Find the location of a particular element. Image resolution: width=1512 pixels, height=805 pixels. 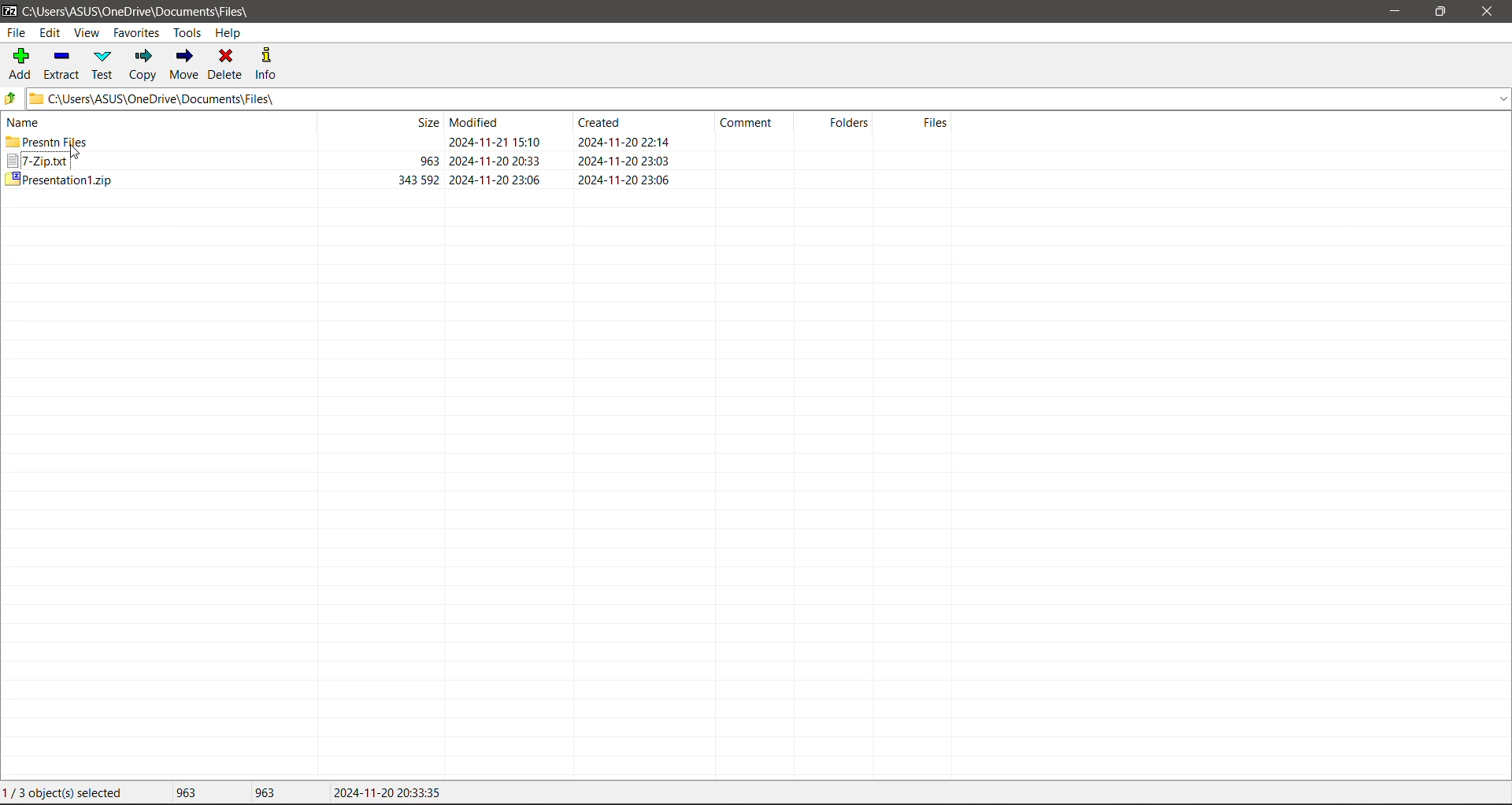

Title Bar color changed on Click is located at coordinates (547, 10).